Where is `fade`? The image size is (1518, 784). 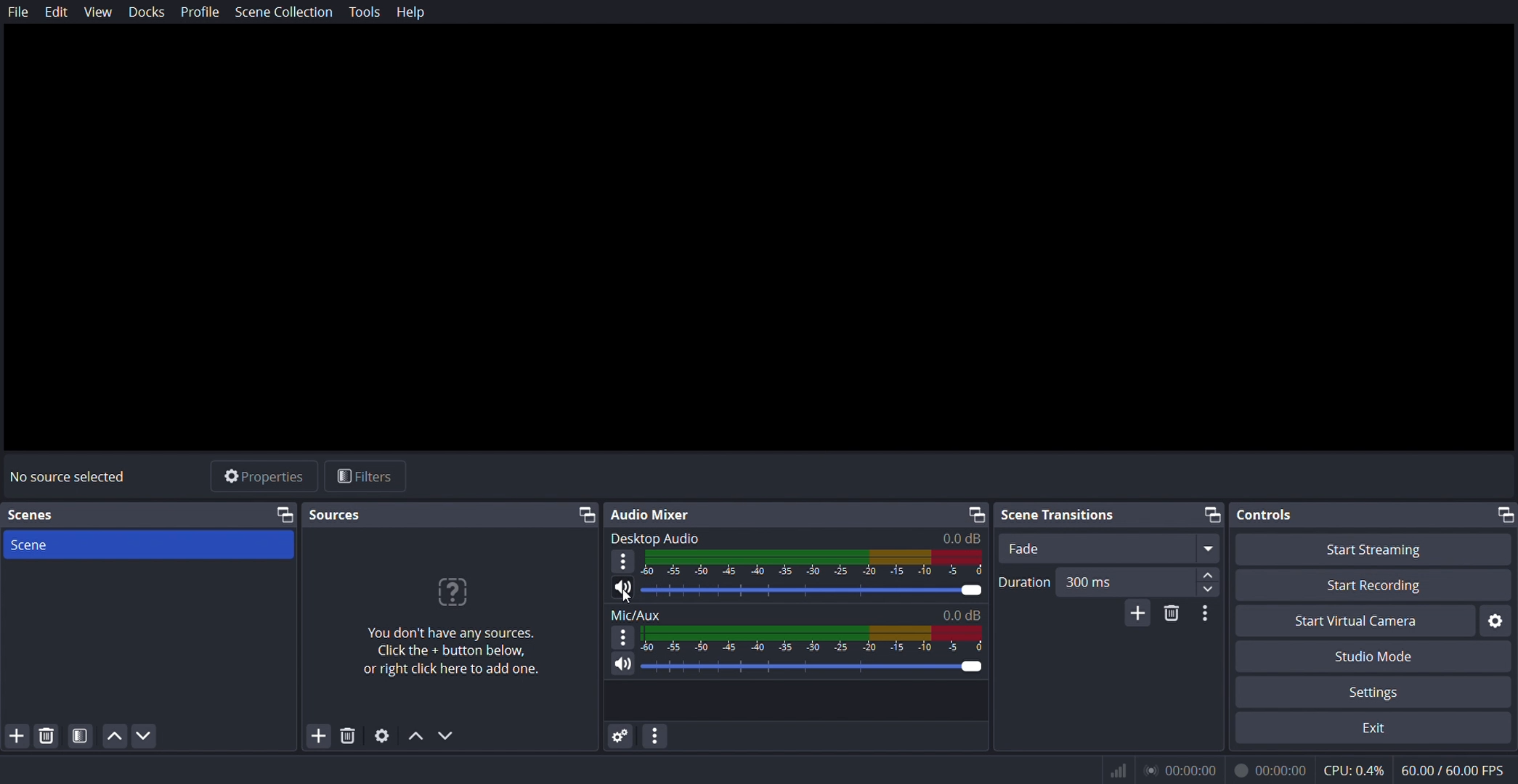 fade is located at coordinates (1108, 549).